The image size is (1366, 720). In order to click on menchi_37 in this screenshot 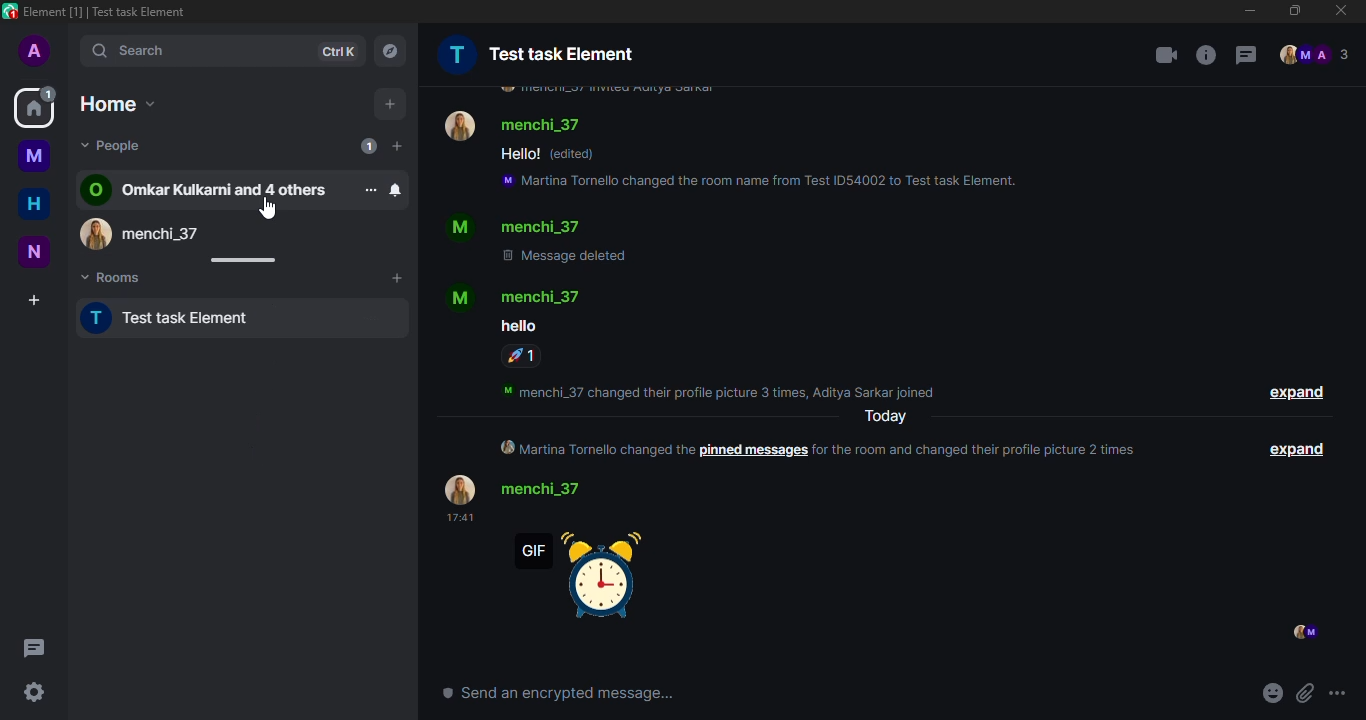, I will do `click(519, 225)`.